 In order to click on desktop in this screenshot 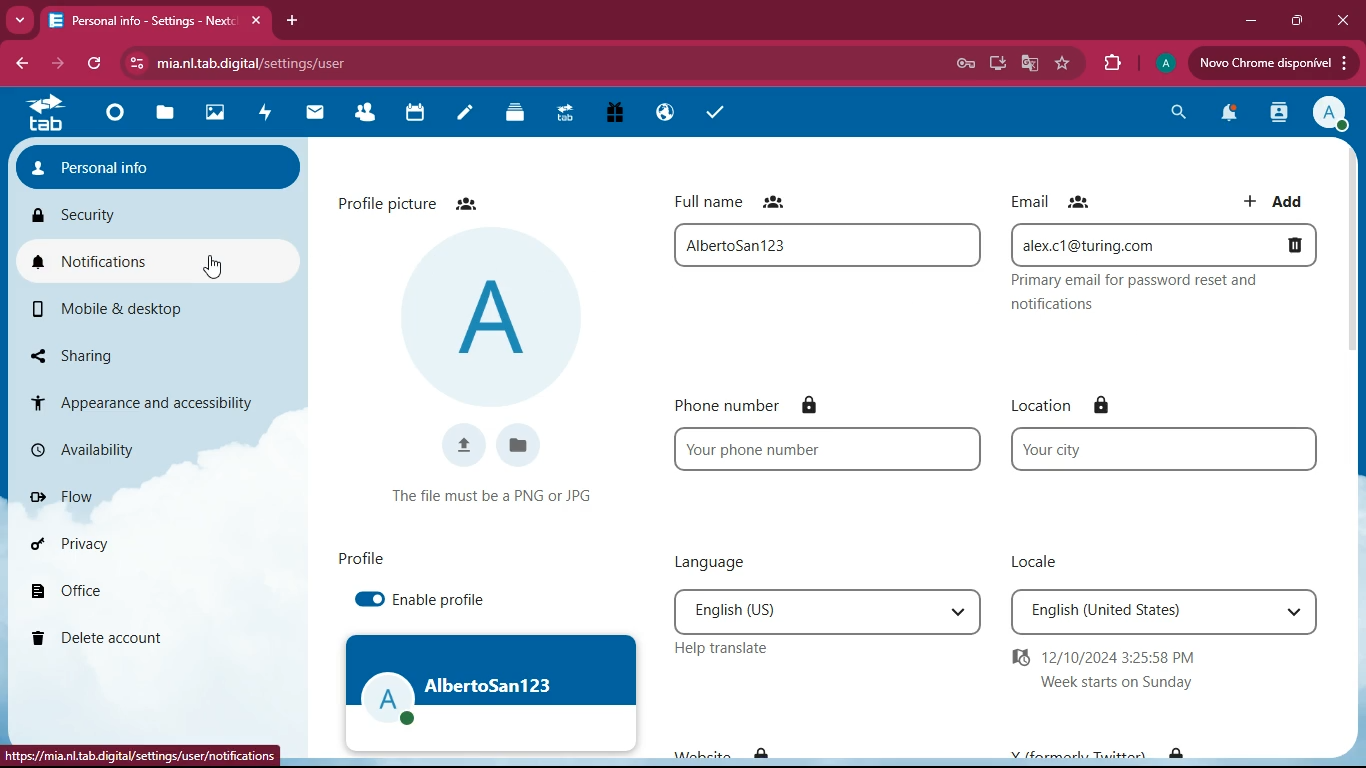, I will do `click(992, 64)`.